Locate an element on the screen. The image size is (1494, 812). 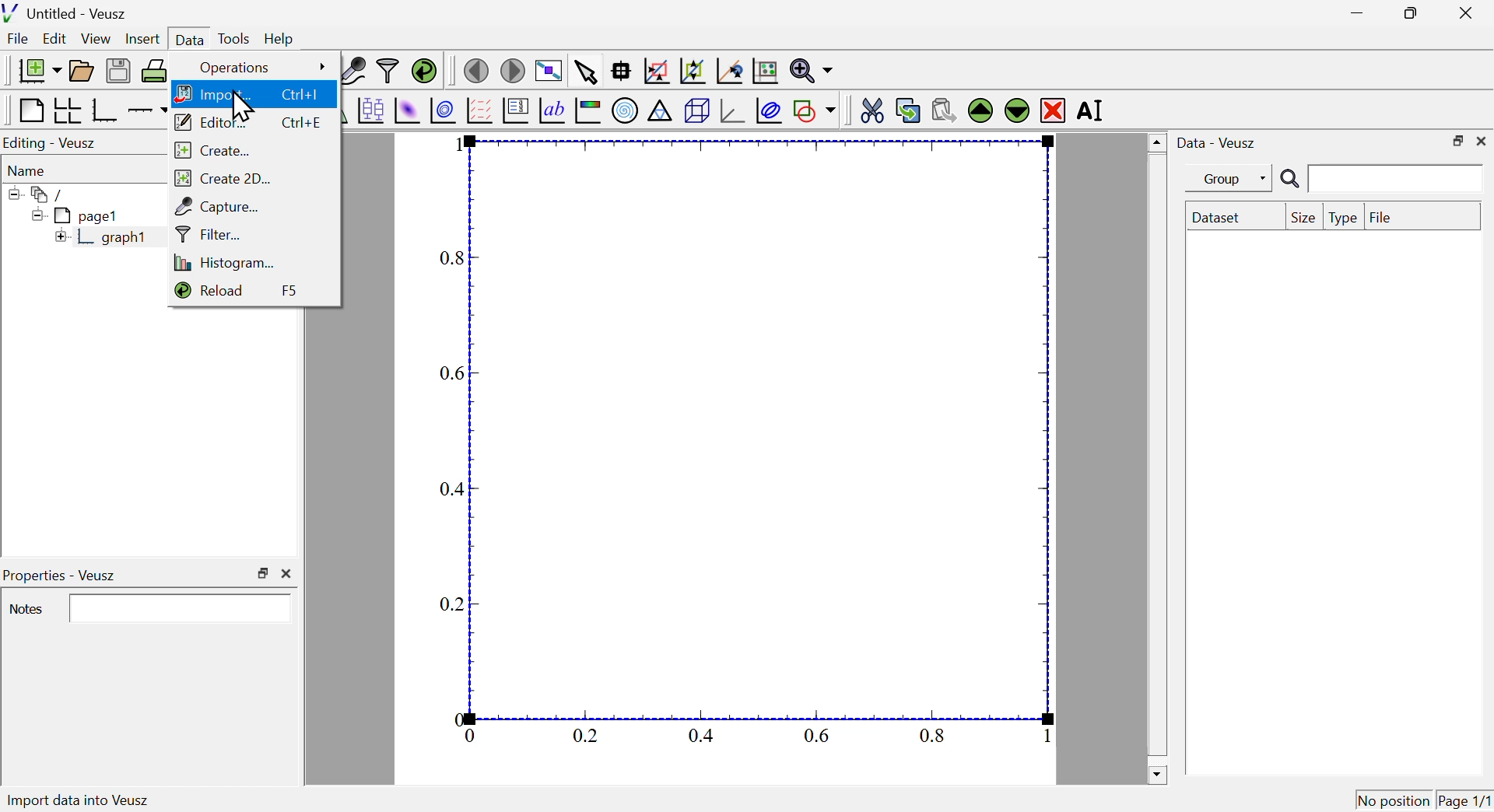
0.4 is located at coordinates (450, 489).